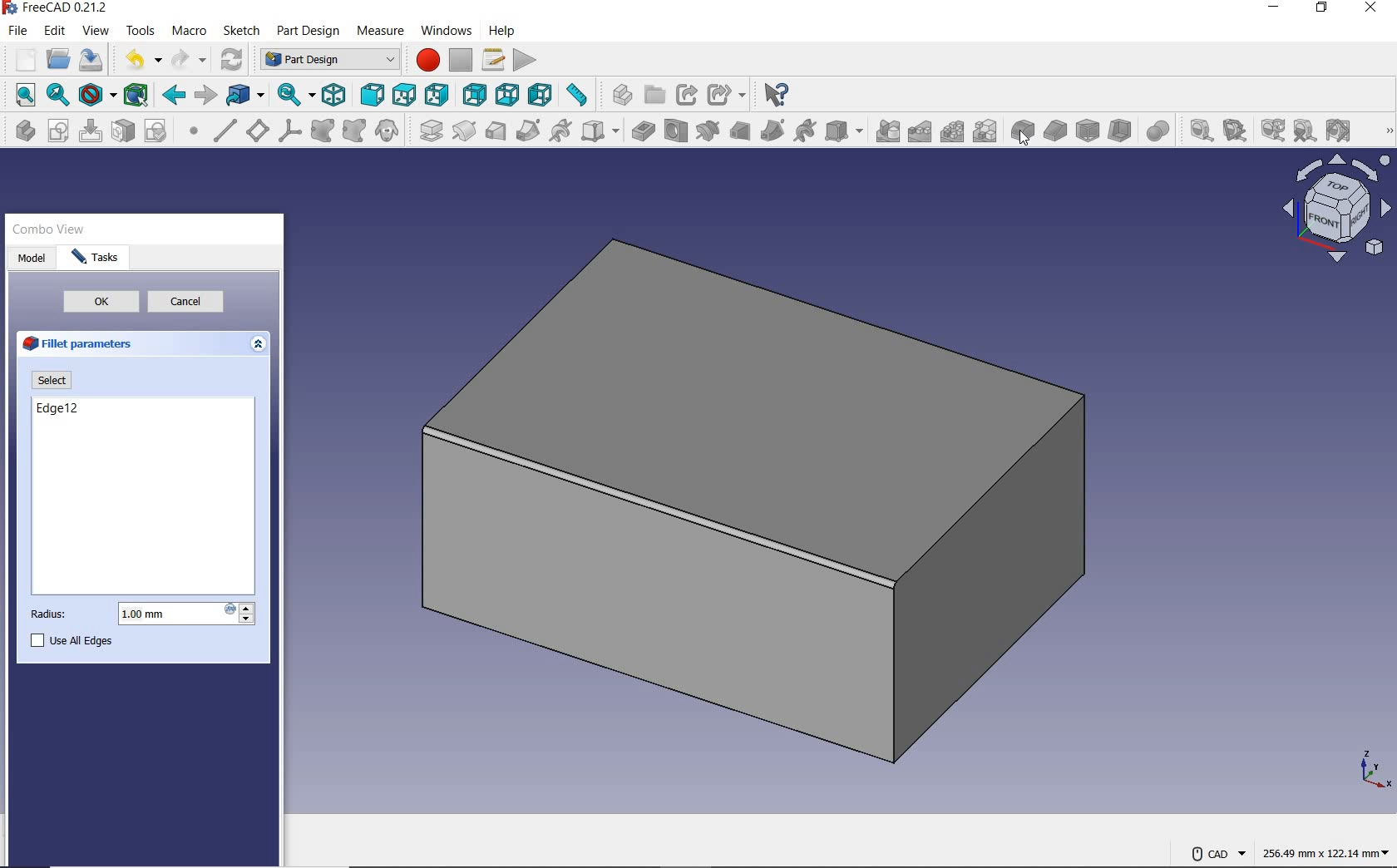 Image resolution: width=1397 pixels, height=868 pixels. Describe the element at coordinates (249, 606) in the screenshot. I see `increase` at that location.